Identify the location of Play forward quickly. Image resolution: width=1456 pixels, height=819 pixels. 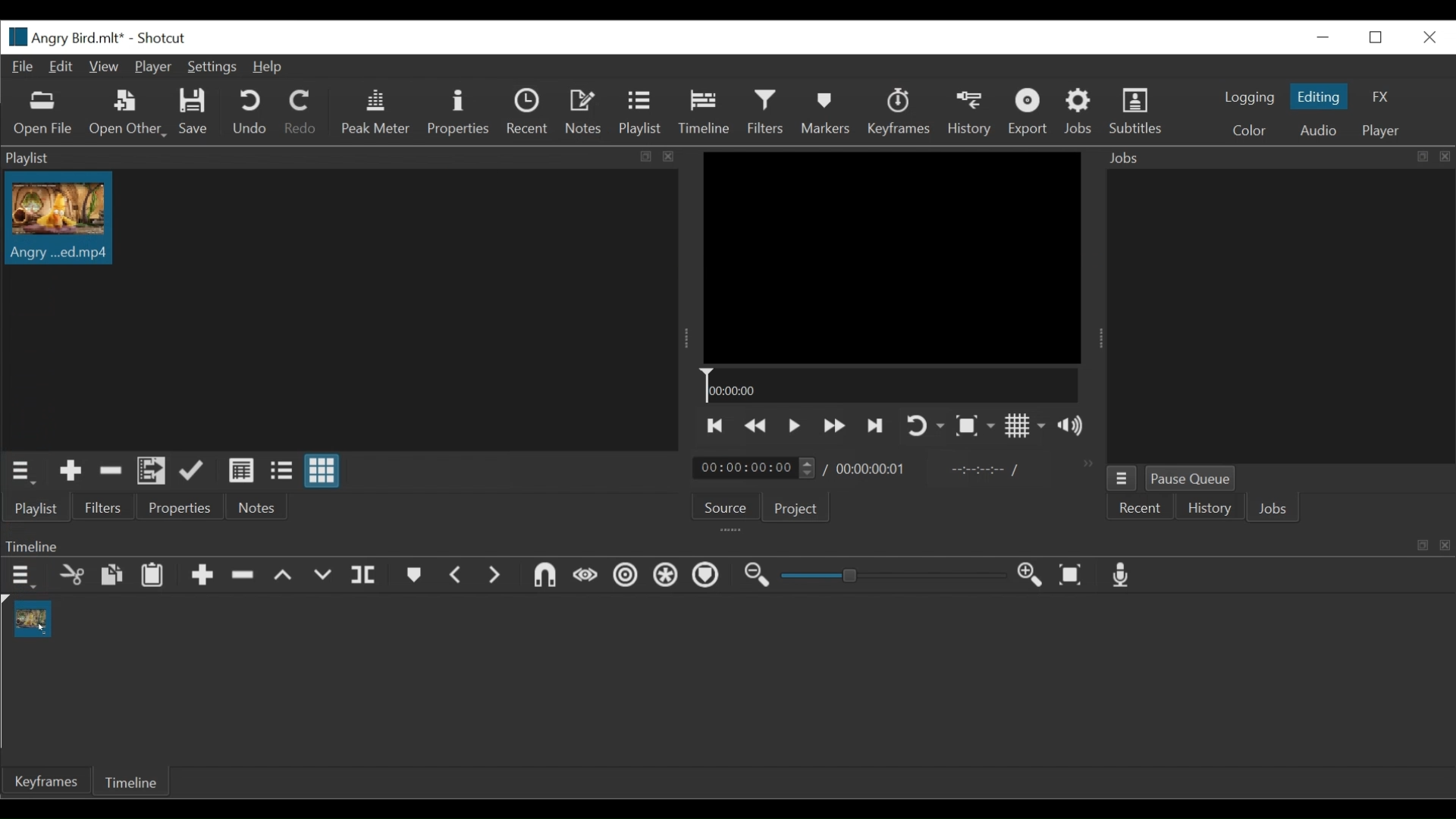
(835, 425).